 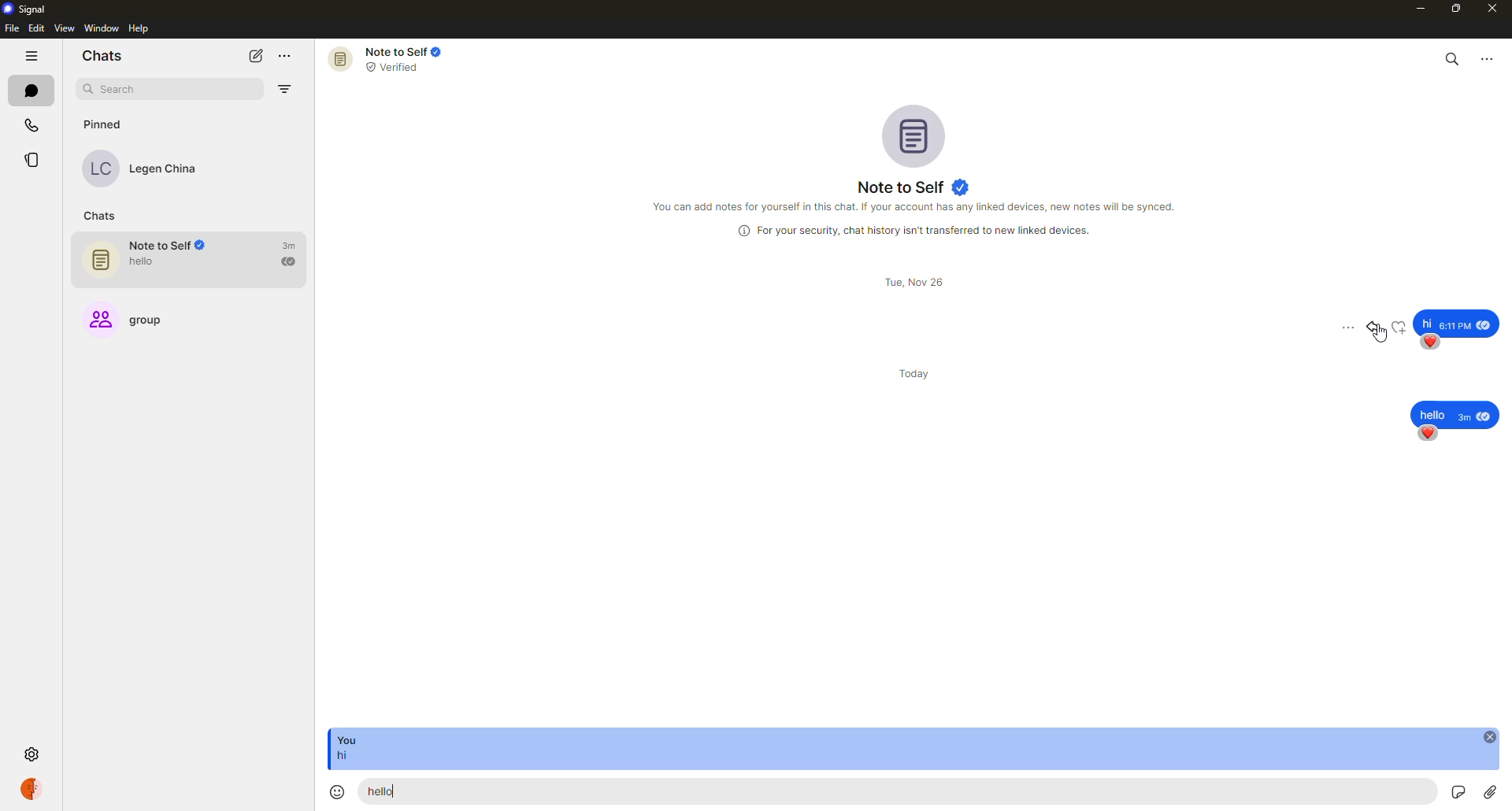 What do you see at coordinates (1384, 339) in the screenshot?
I see `cursor` at bounding box center [1384, 339].